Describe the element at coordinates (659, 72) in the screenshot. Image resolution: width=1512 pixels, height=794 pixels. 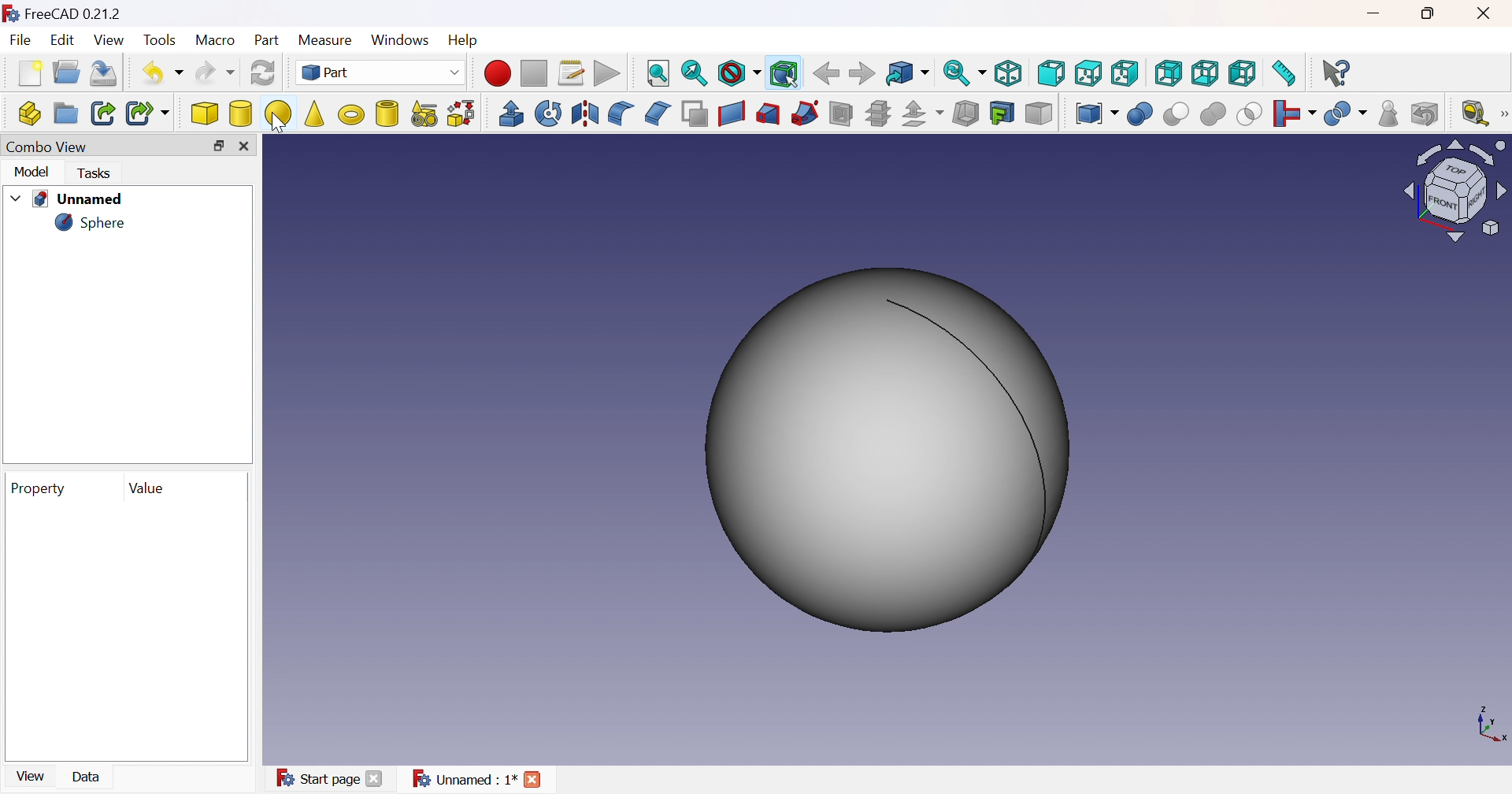
I see `Fit all` at that location.